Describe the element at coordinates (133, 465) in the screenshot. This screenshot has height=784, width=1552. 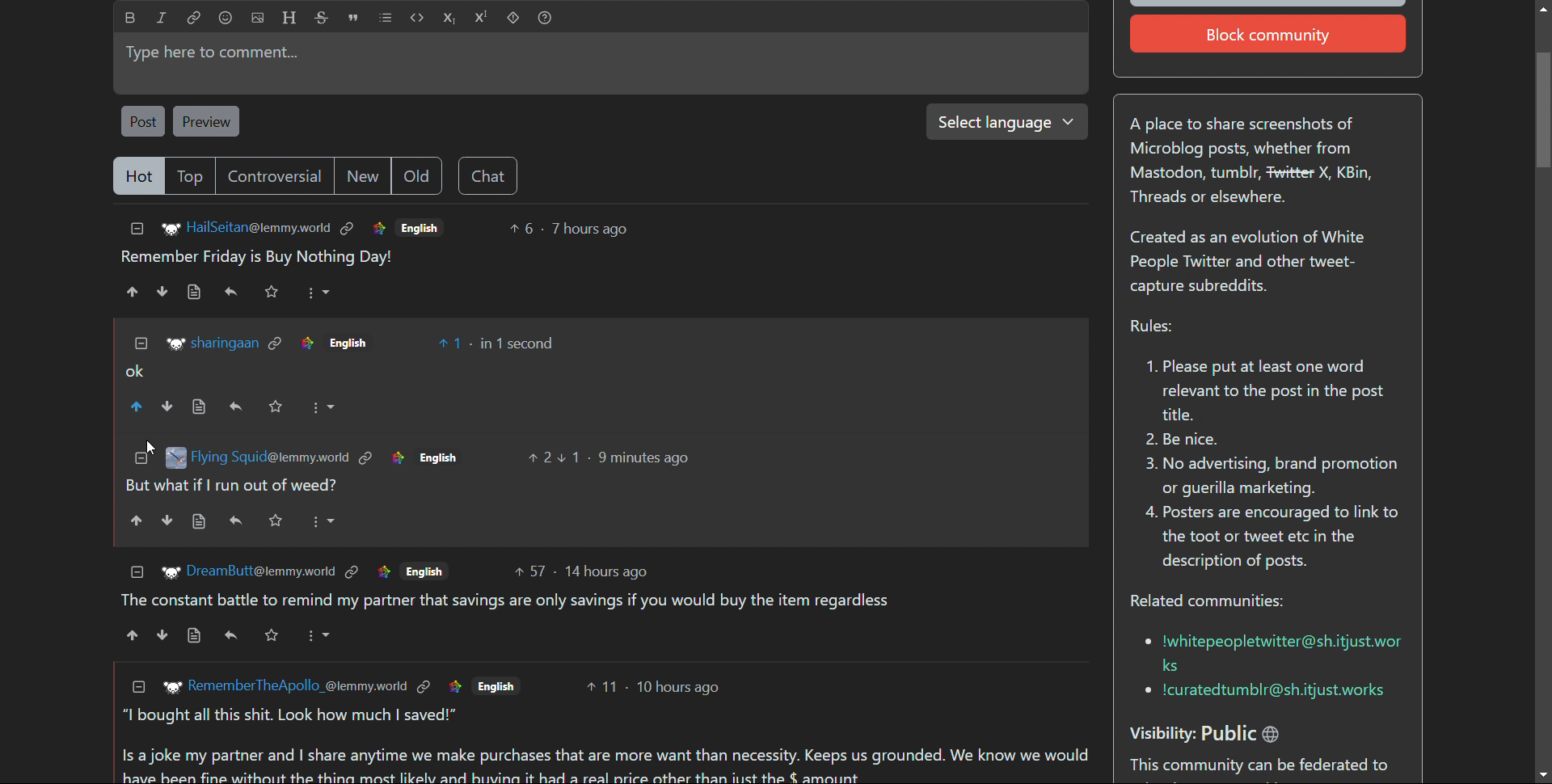
I see `collapse` at that location.